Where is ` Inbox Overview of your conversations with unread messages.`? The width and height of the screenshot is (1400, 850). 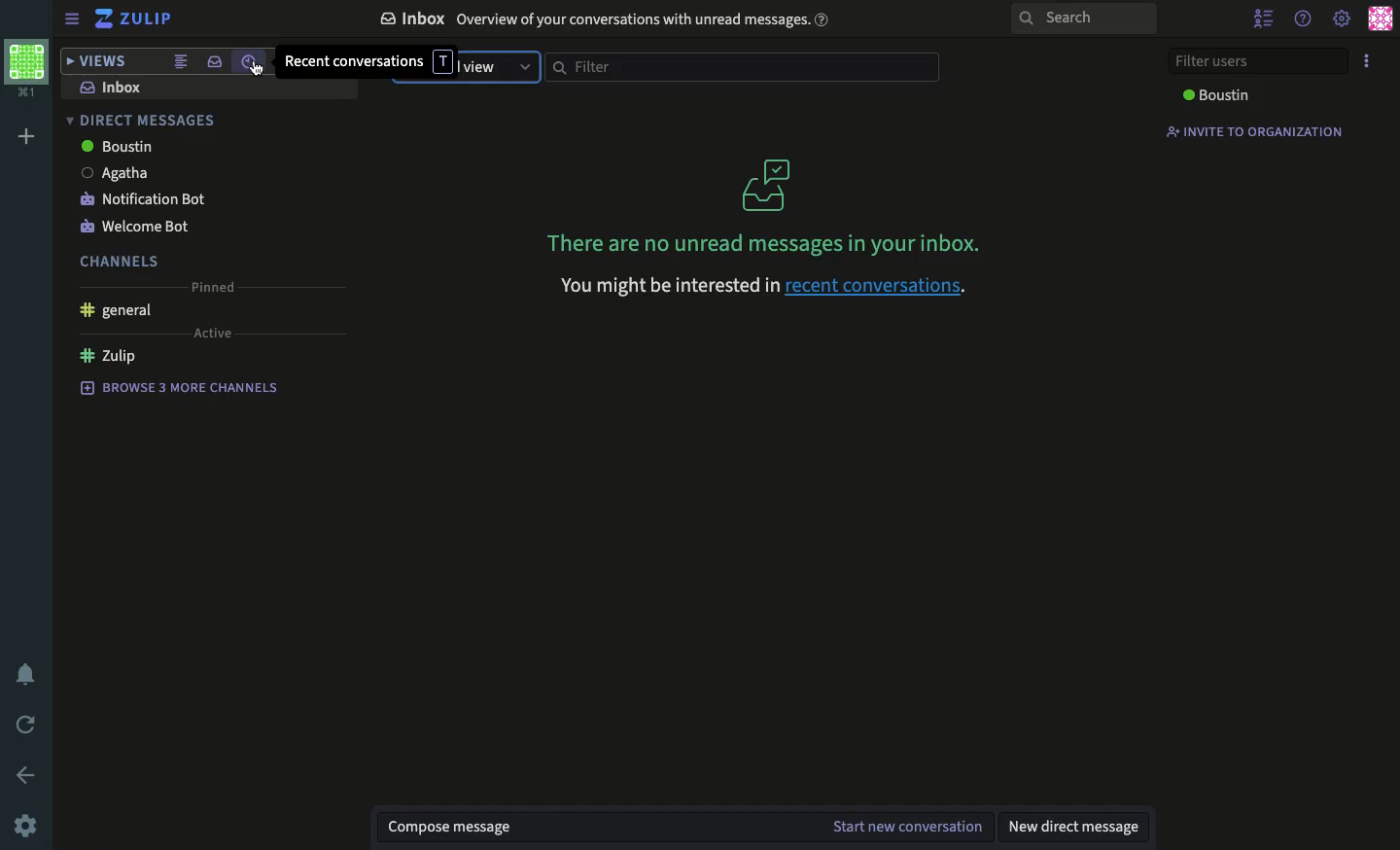  Inbox Overview of your conversations with unread messages. is located at coordinates (603, 19).